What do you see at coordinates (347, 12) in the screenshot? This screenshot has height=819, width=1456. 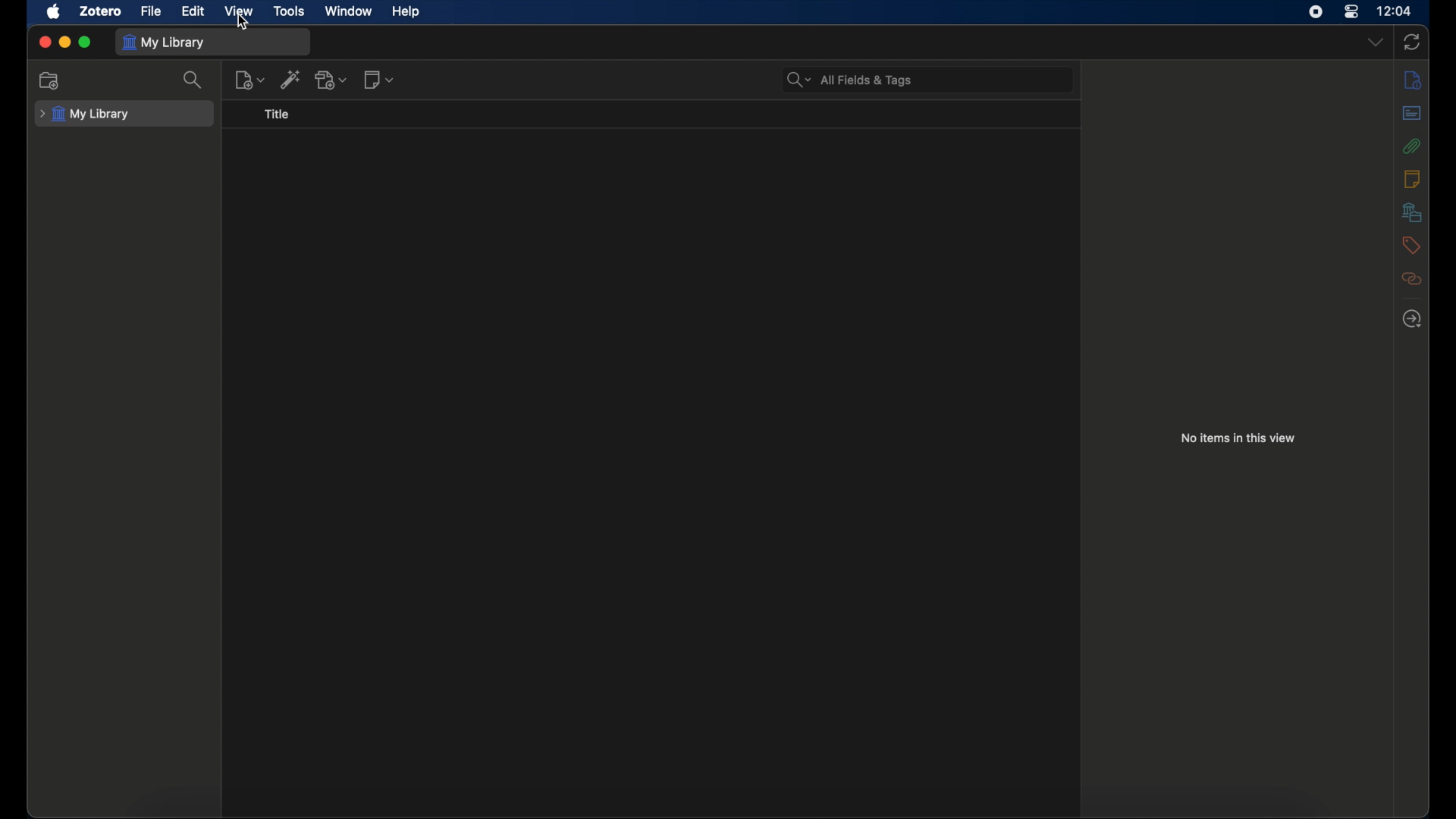 I see `window` at bounding box center [347, 12].